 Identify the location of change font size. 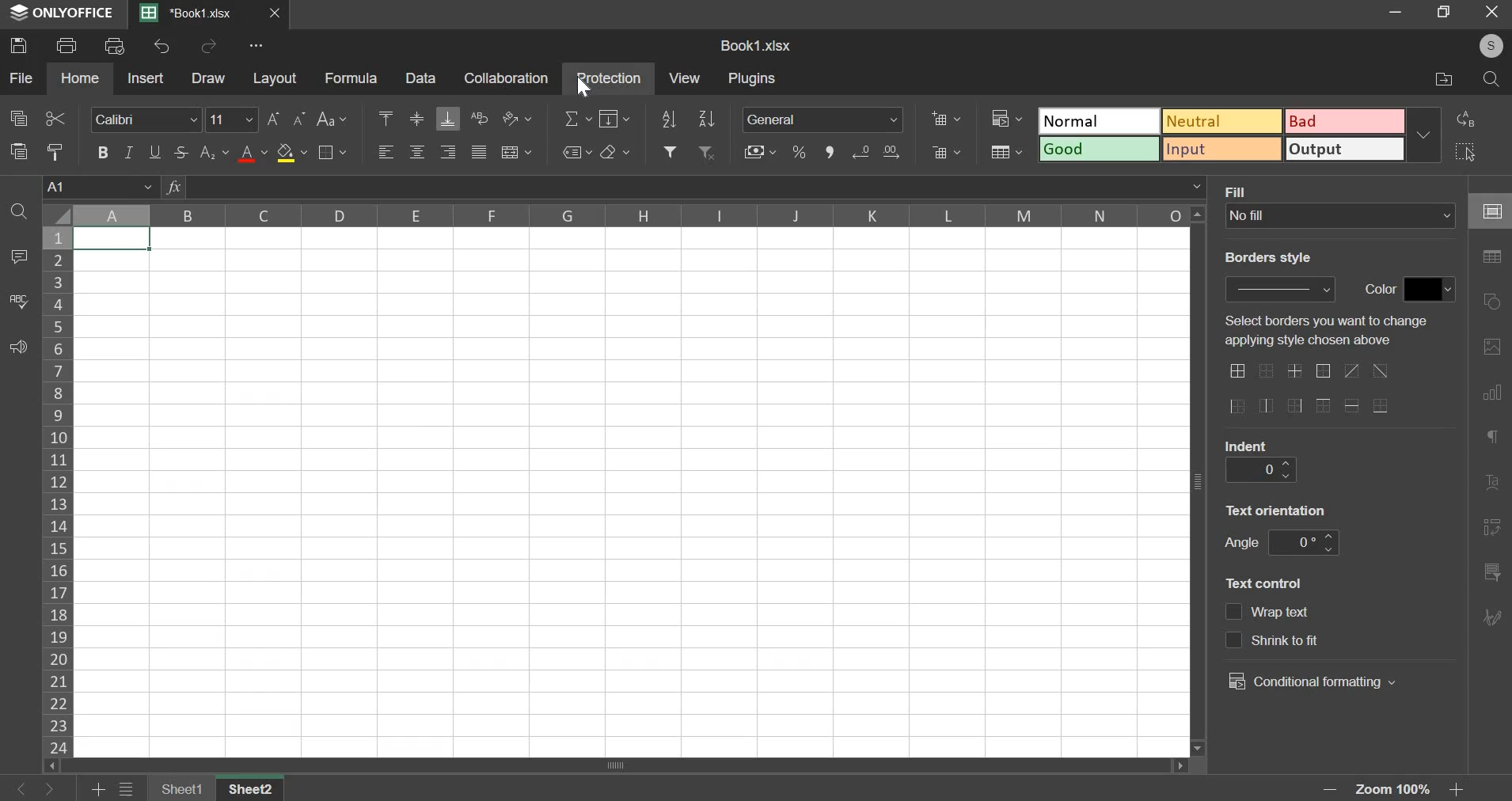
(301, 119).